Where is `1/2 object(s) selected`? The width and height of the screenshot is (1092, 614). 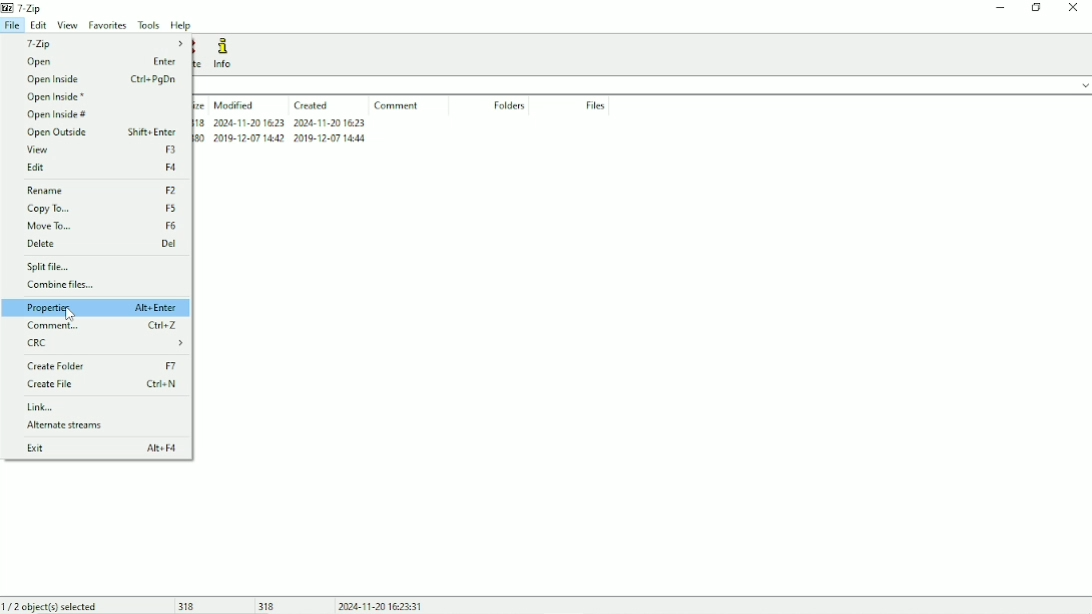 1/2 object(s) selected is located at coordinates (51, 605).